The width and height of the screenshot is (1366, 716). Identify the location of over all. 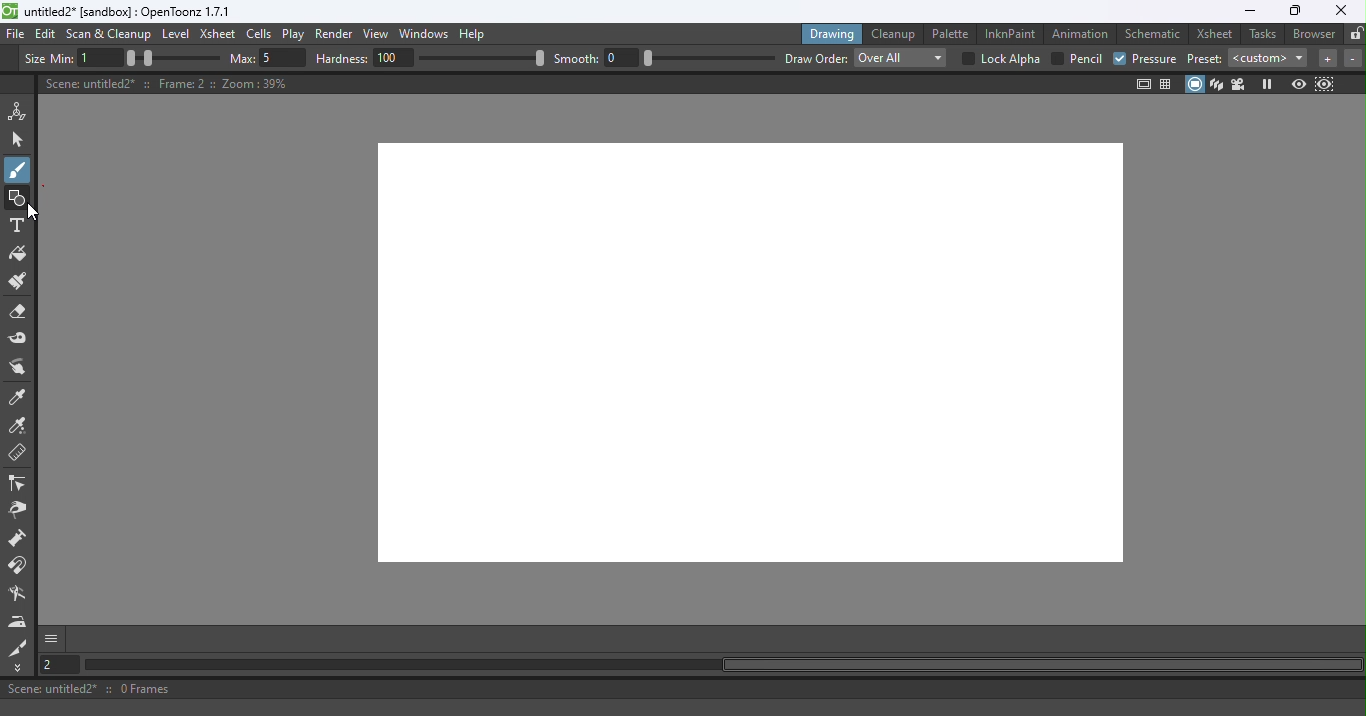
(899, 58).